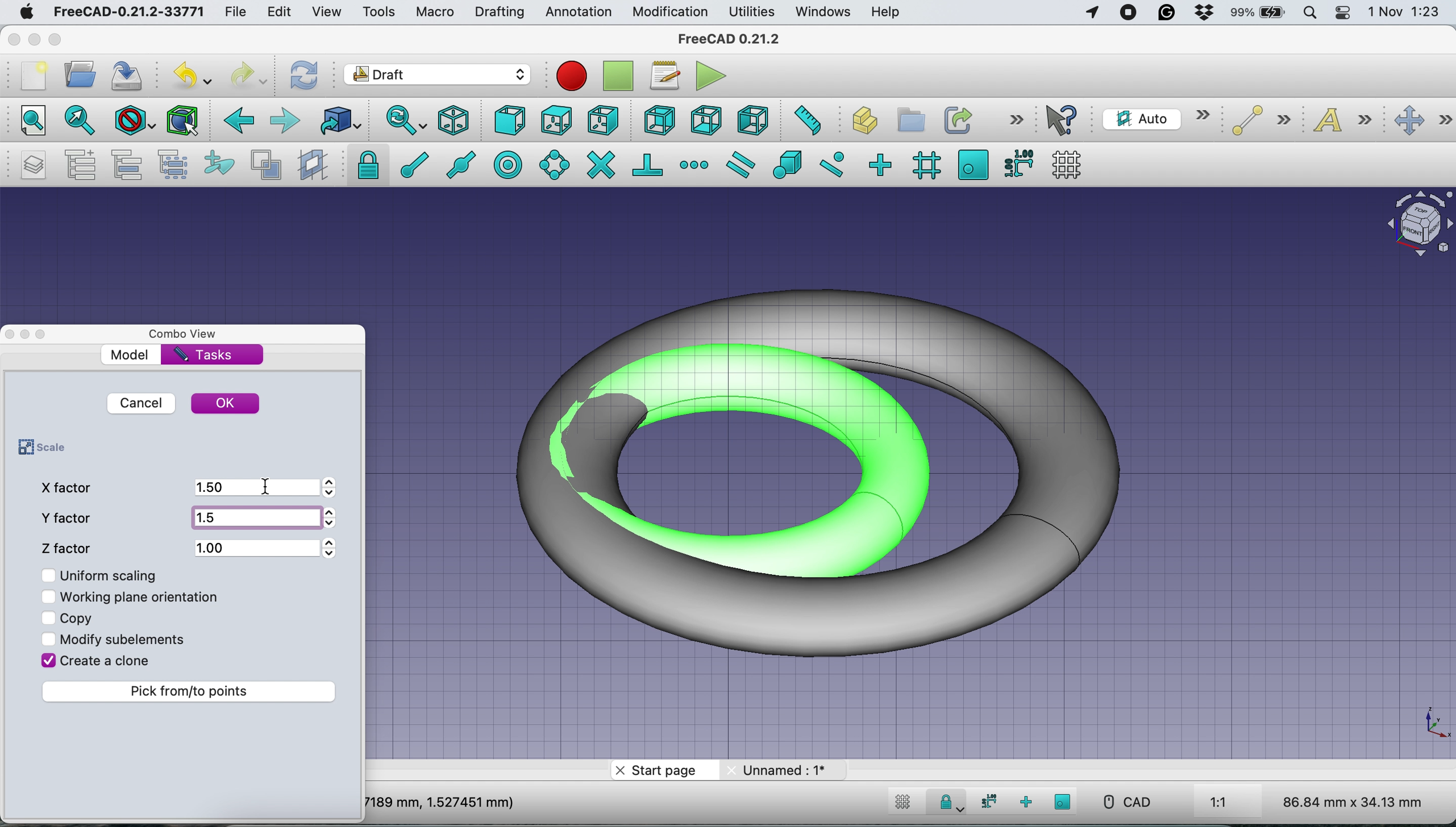 The width and height of the screenshot is (1456, 827). What do you see at coordinates (256, 545) in the screenshot?
I see `1.00` at bounding box center [256, 545].